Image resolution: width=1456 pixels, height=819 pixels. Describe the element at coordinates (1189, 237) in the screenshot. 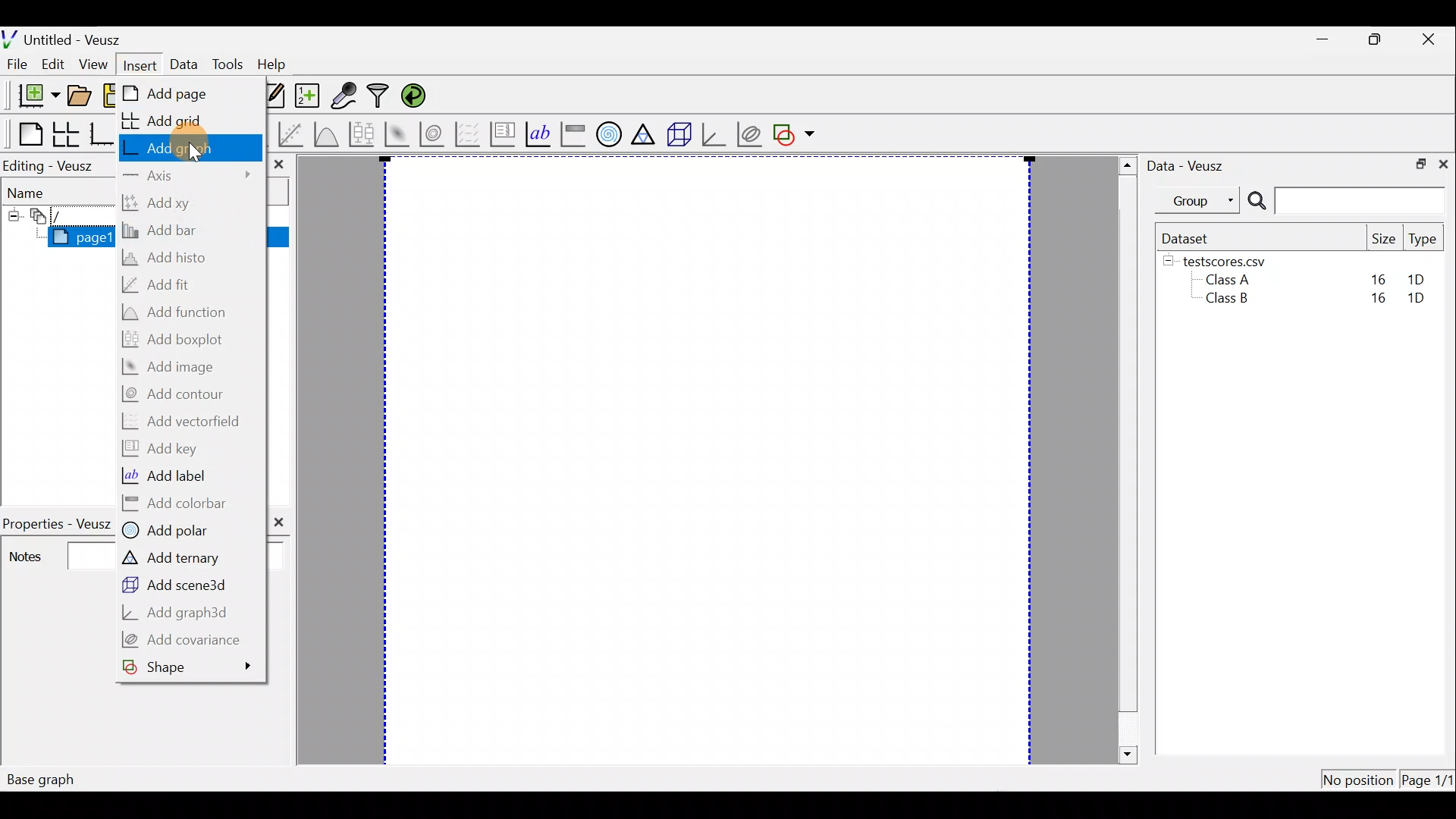

I see `Dataset` at that location.